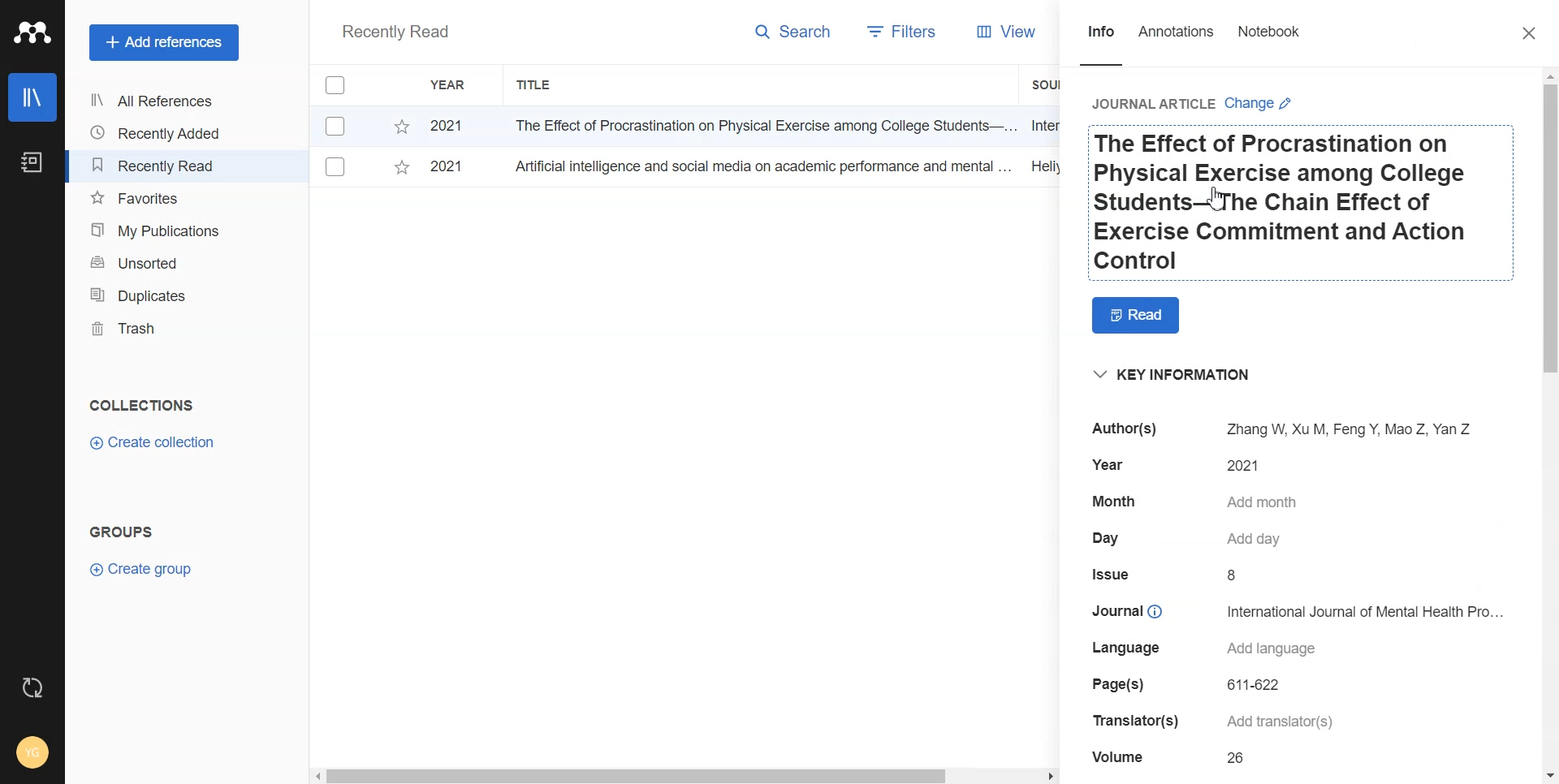 This screenshot has height=784, width=1559. What do you see at coordinates (897, 33) in the screenshot?
I see `Filters` at bounding box center [897, 33].